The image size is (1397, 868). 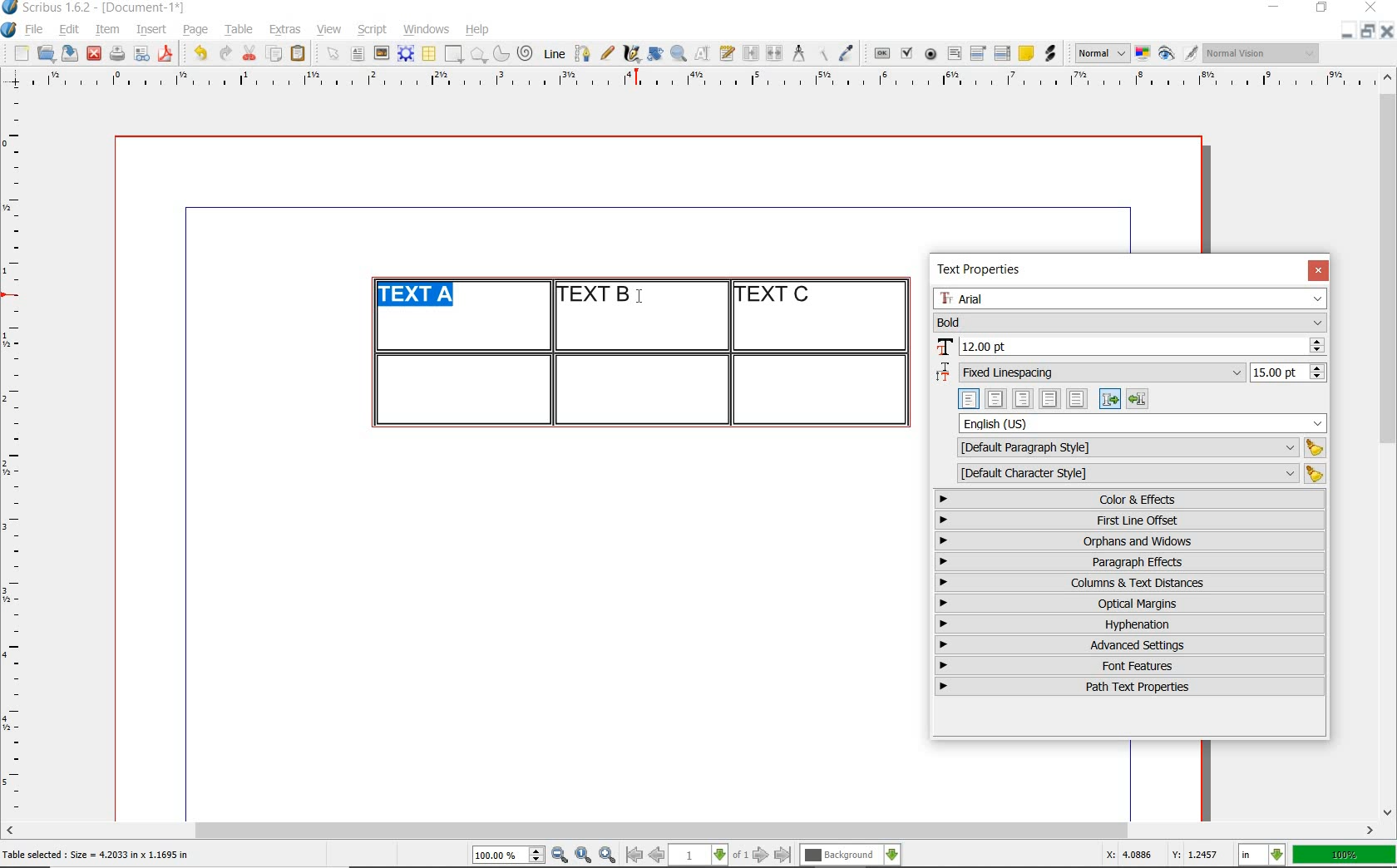 What do you see at coordinates (334, 55) in the screenshot?
I see `select` at bounding box center [334, 55].